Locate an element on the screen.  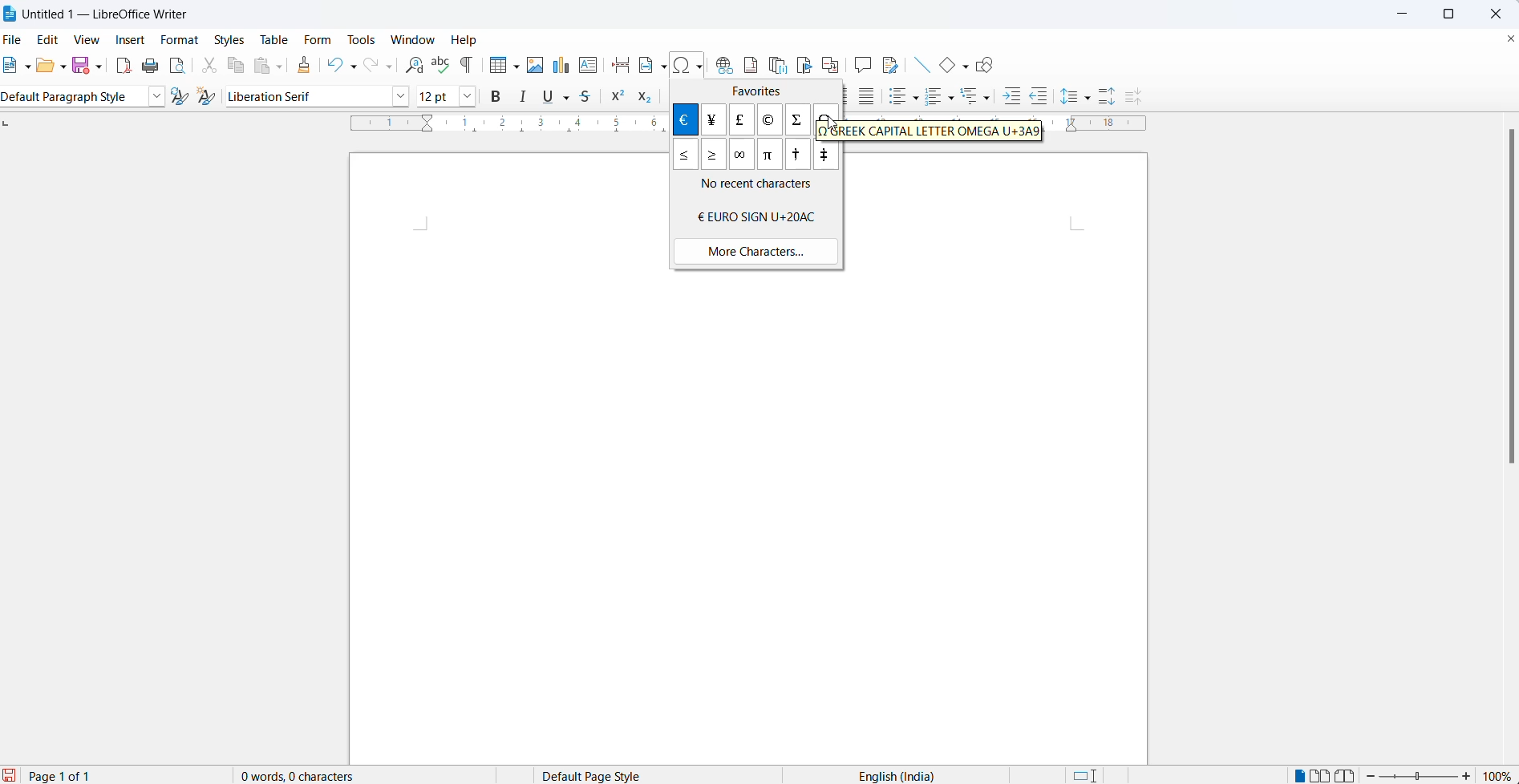
justified is located at coordinates (869, 98).